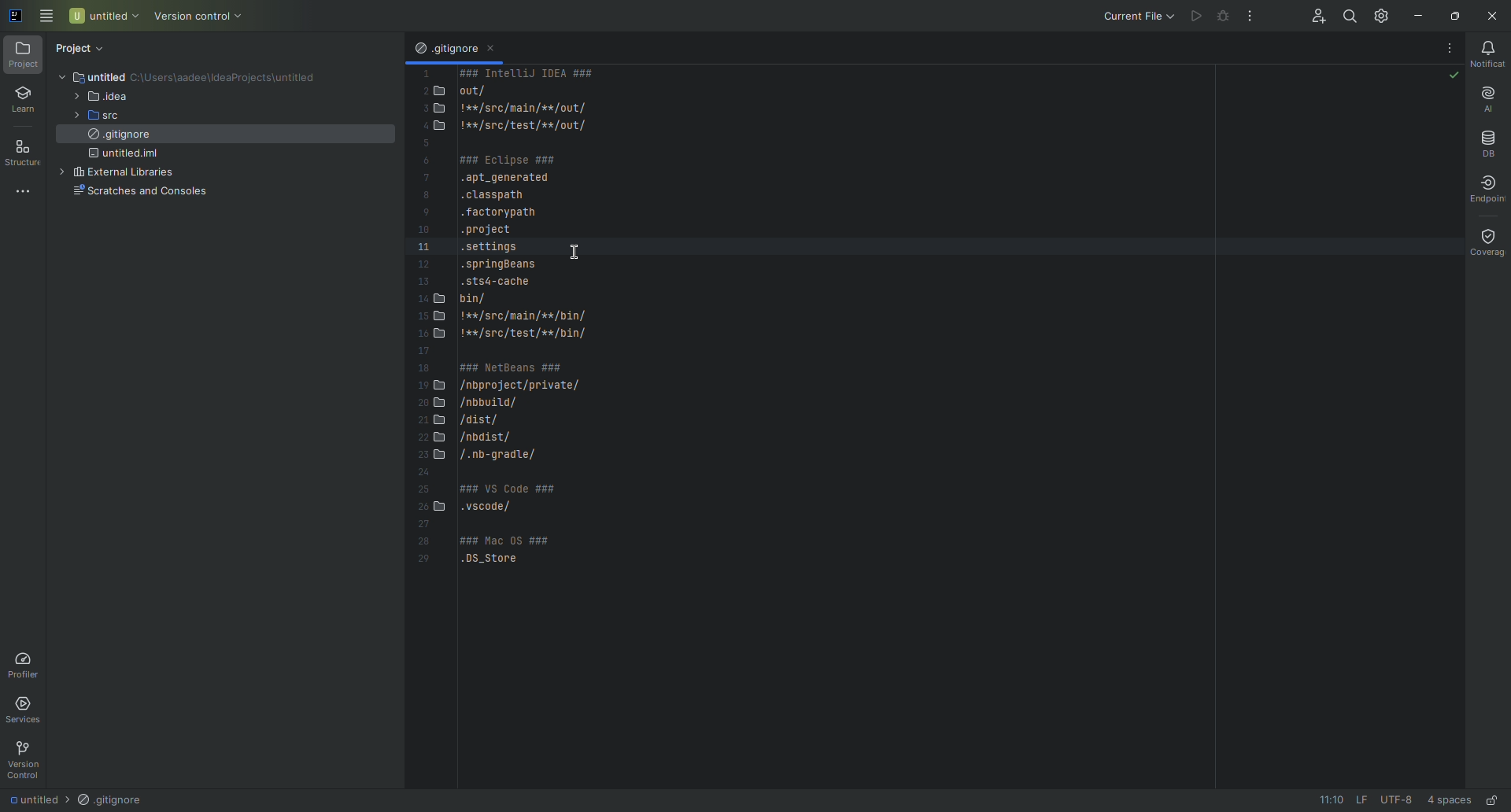  I want to click on gitignore, so click(119, 138).